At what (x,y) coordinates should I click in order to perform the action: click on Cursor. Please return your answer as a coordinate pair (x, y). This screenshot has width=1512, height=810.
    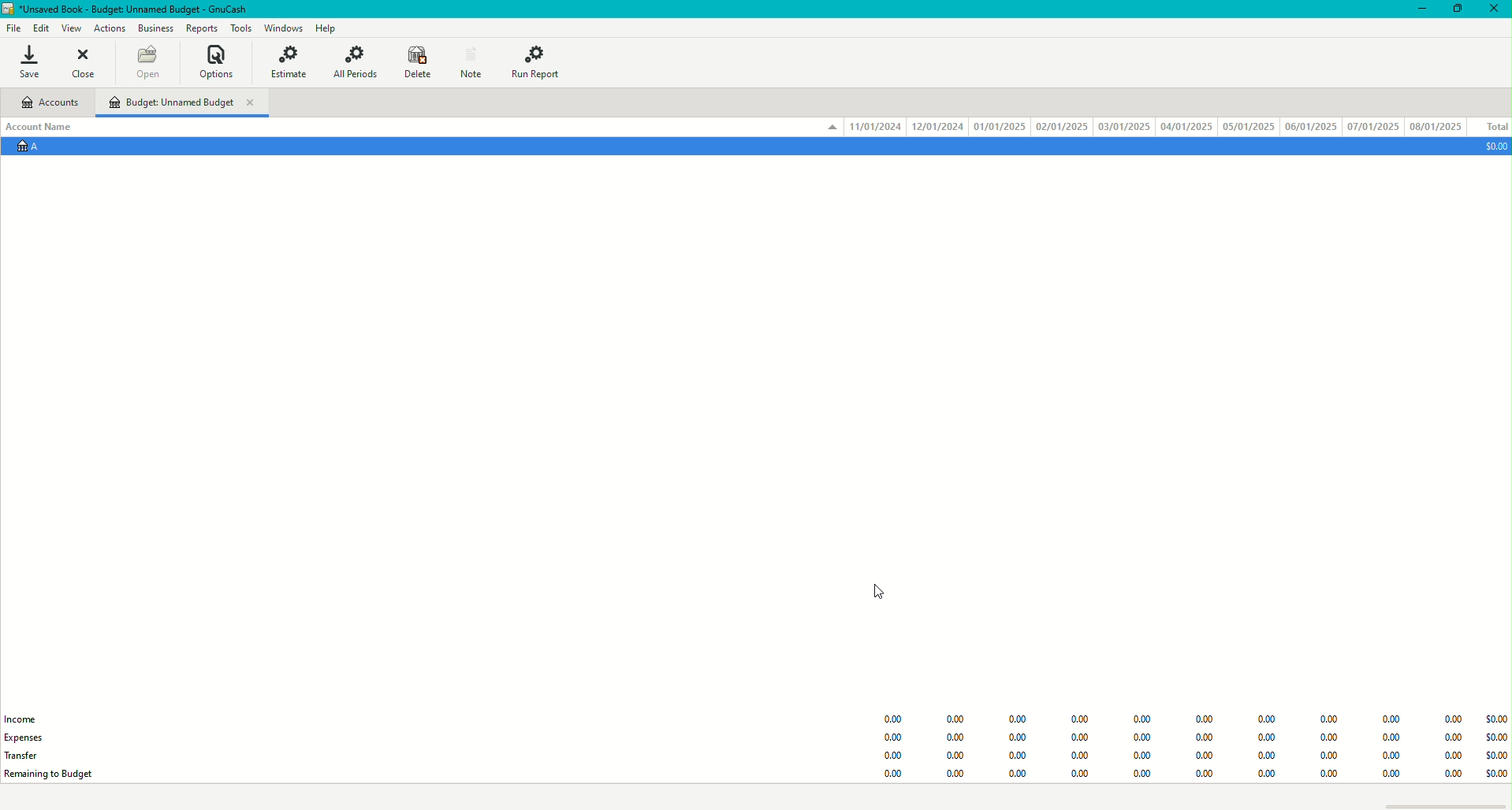
    Looking at the image, I should click on (882, 588).